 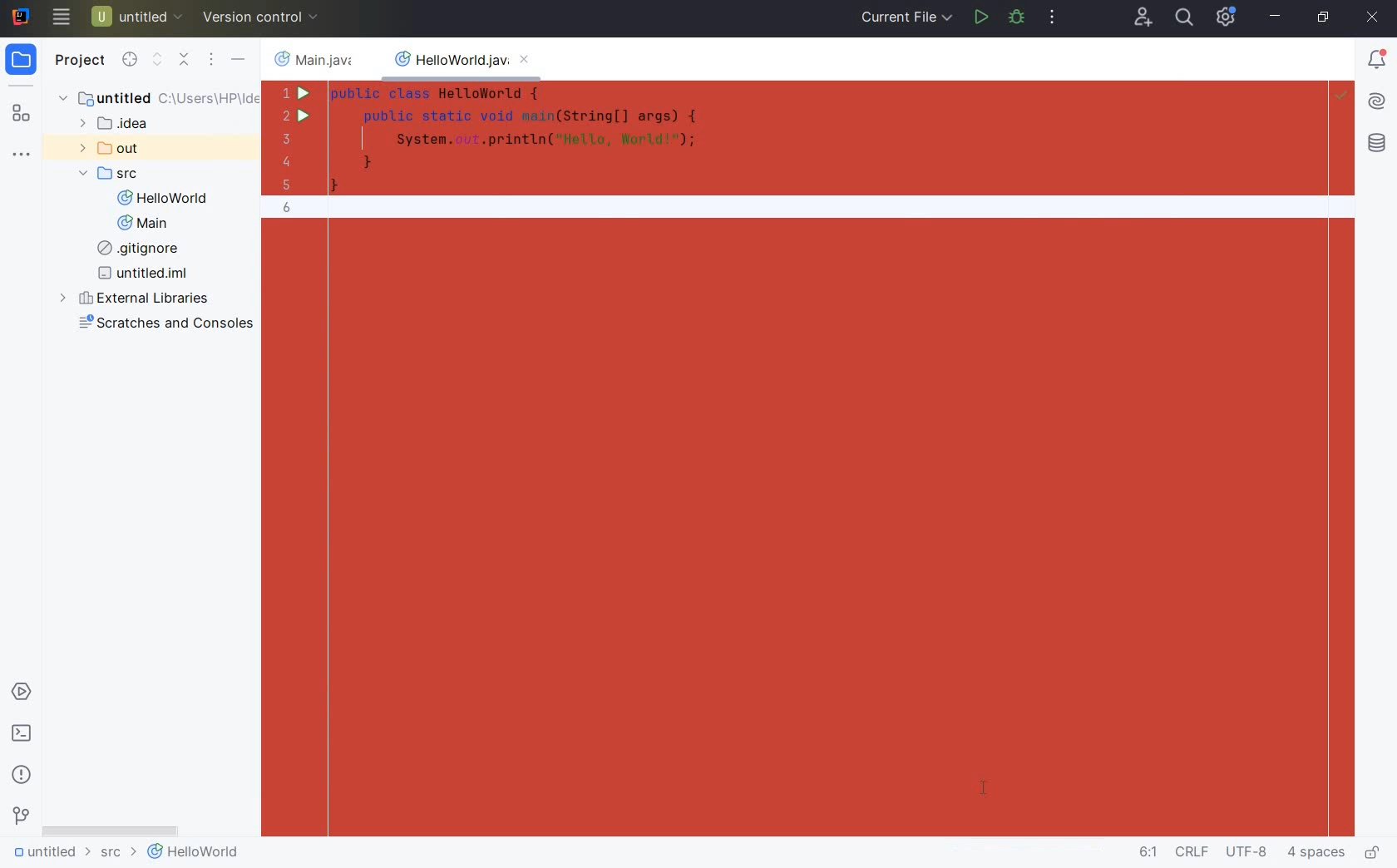 I want to click on main menu, so click(x=141, y=62).